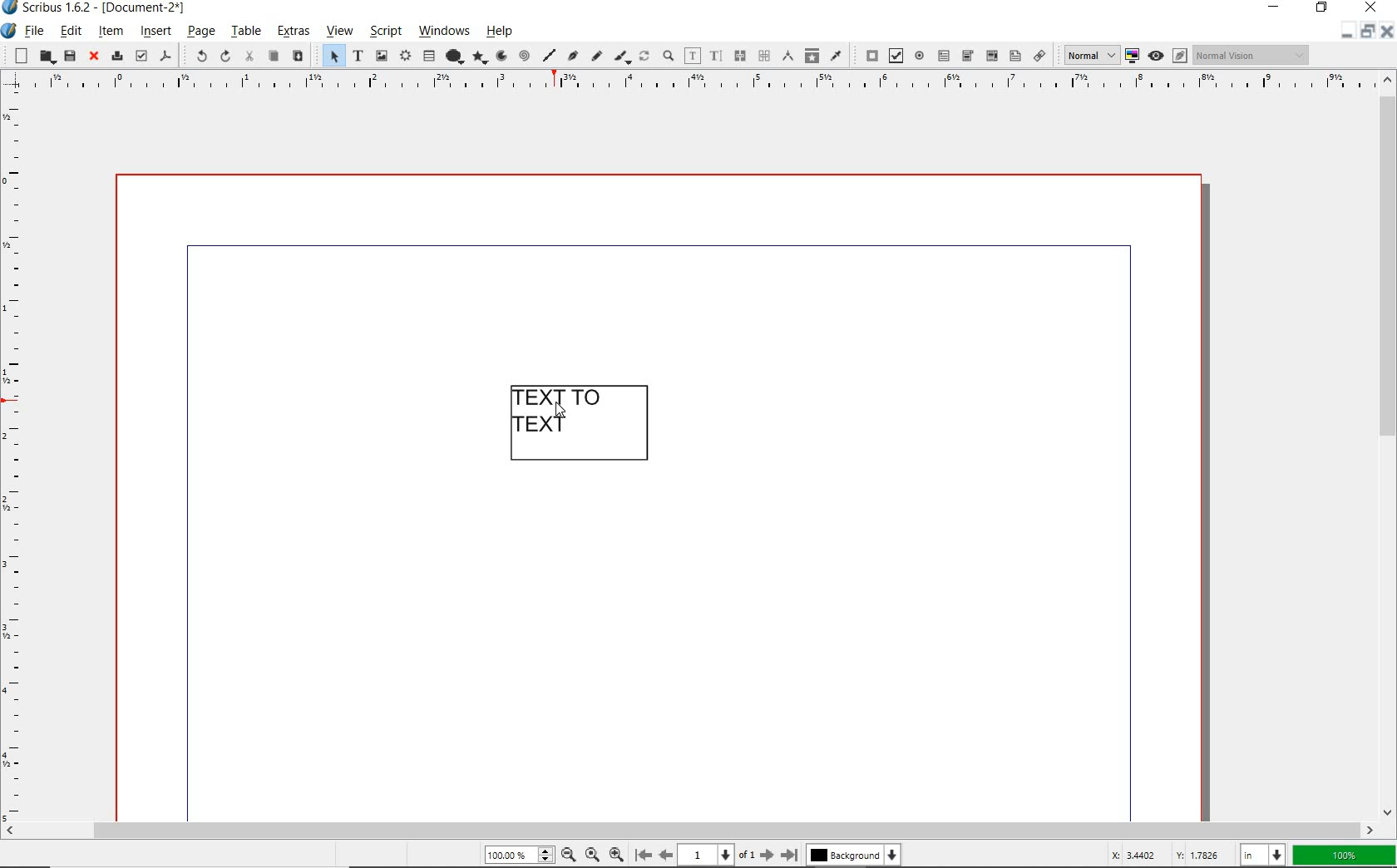 The image size is (1397, 868). What do you see at coordinates (770, 857) in the screenshot?
I see `move to next` at bounding box center [770, 857].